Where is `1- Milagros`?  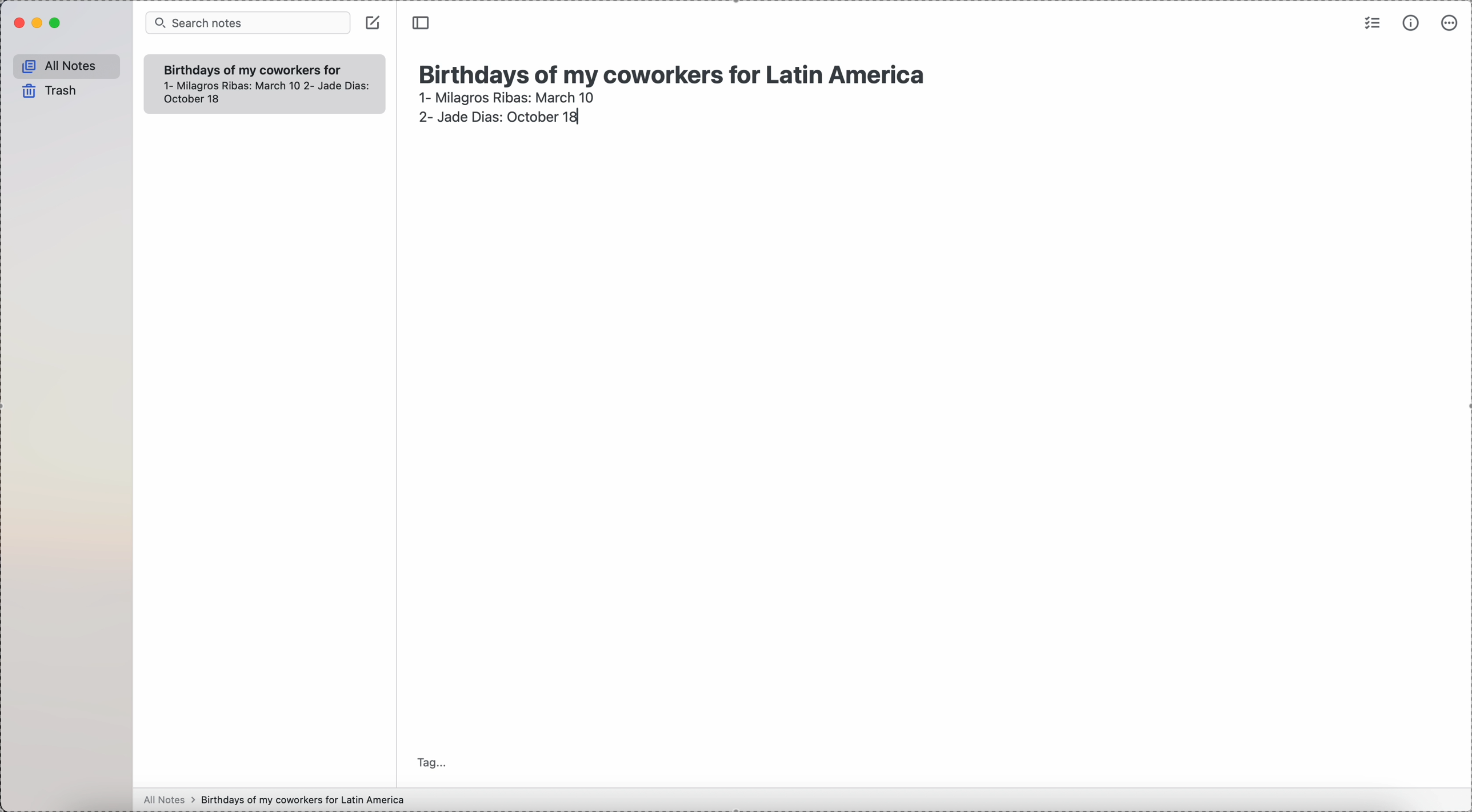
1- Milagros is located at coordinates (506, 97).